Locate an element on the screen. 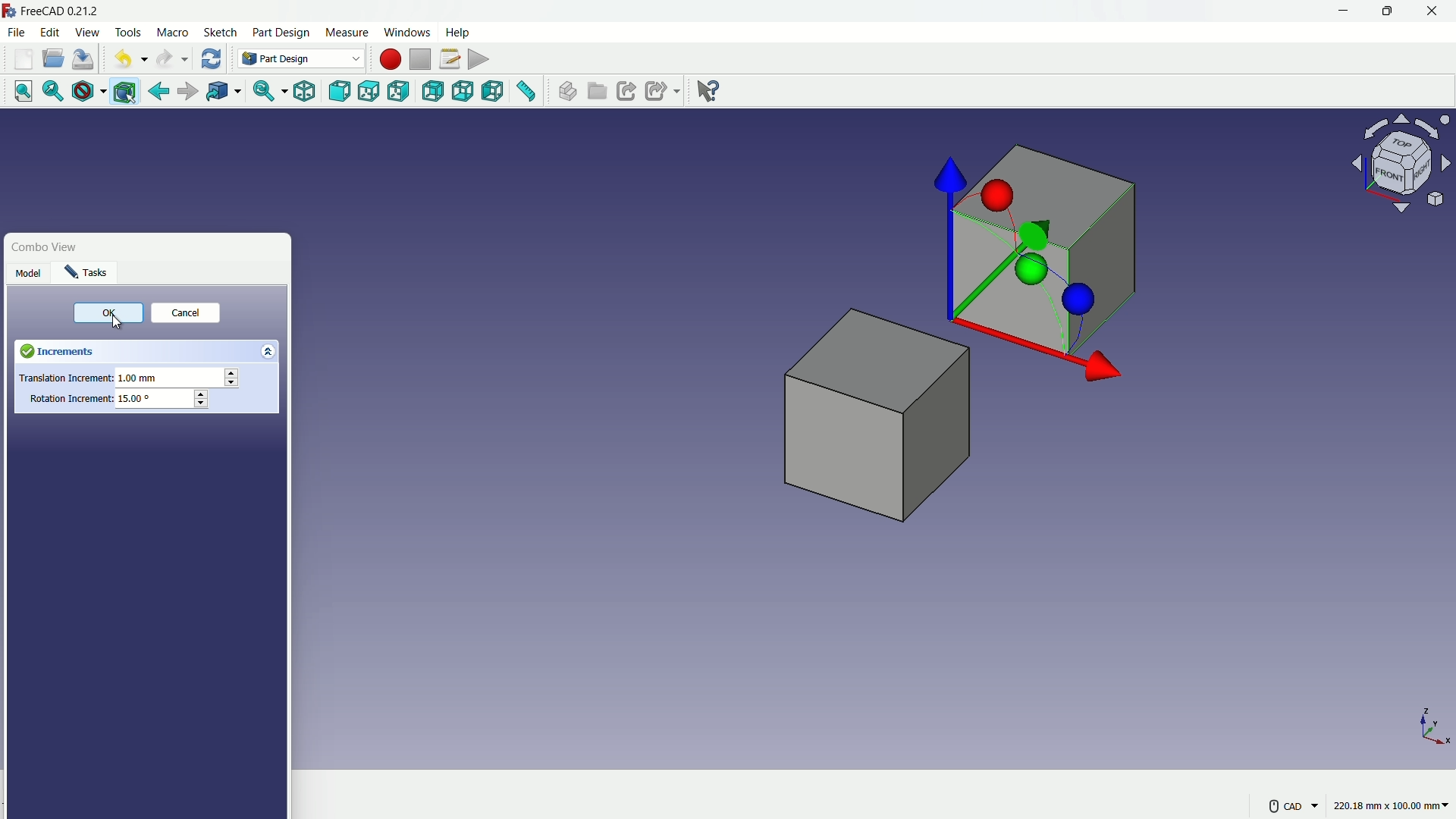  left view is located at coordinates (494, 93).